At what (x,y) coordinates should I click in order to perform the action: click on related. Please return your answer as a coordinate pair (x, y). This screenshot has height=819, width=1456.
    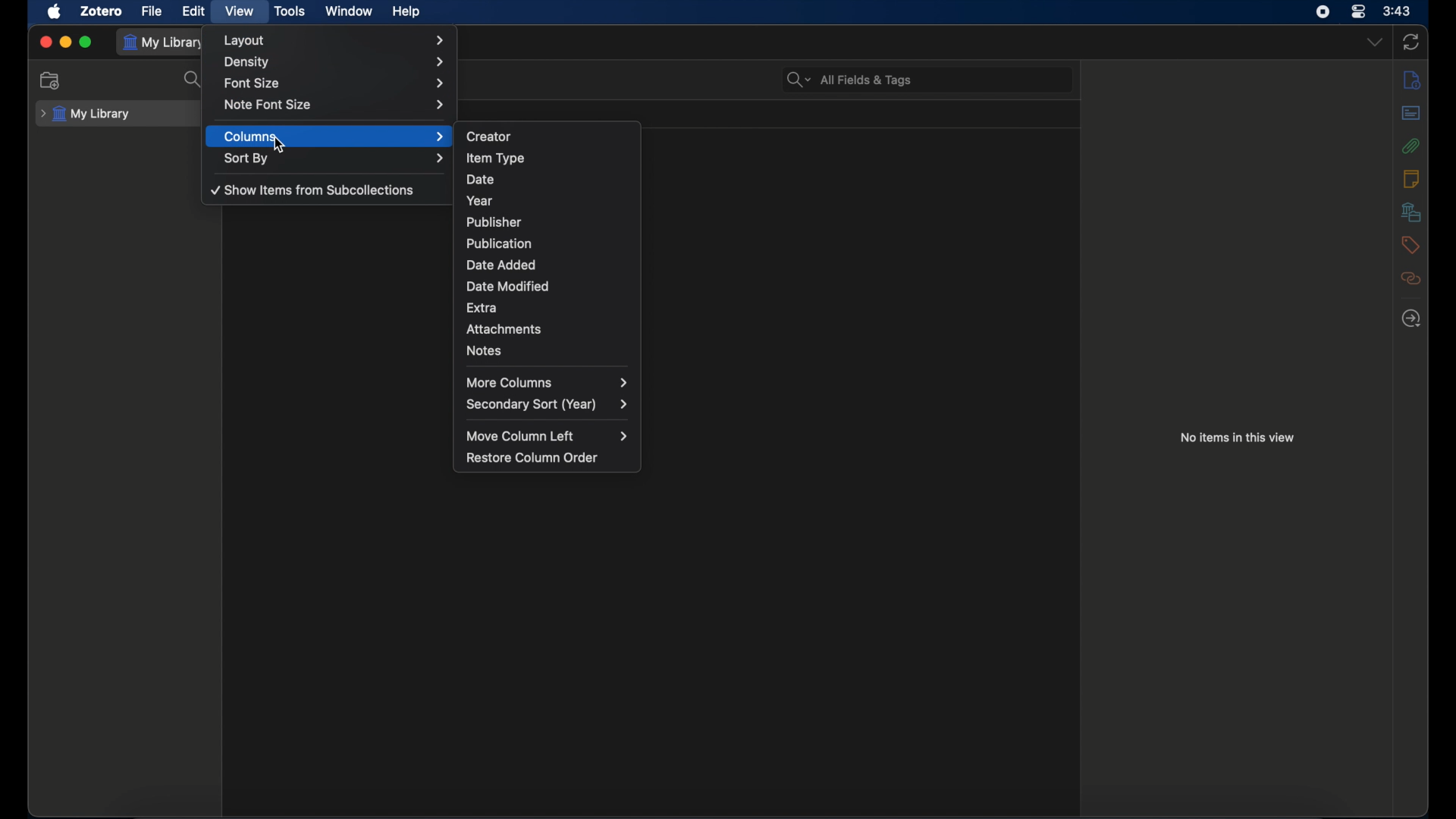
    Looking at the image, I should click on (1410, 278).